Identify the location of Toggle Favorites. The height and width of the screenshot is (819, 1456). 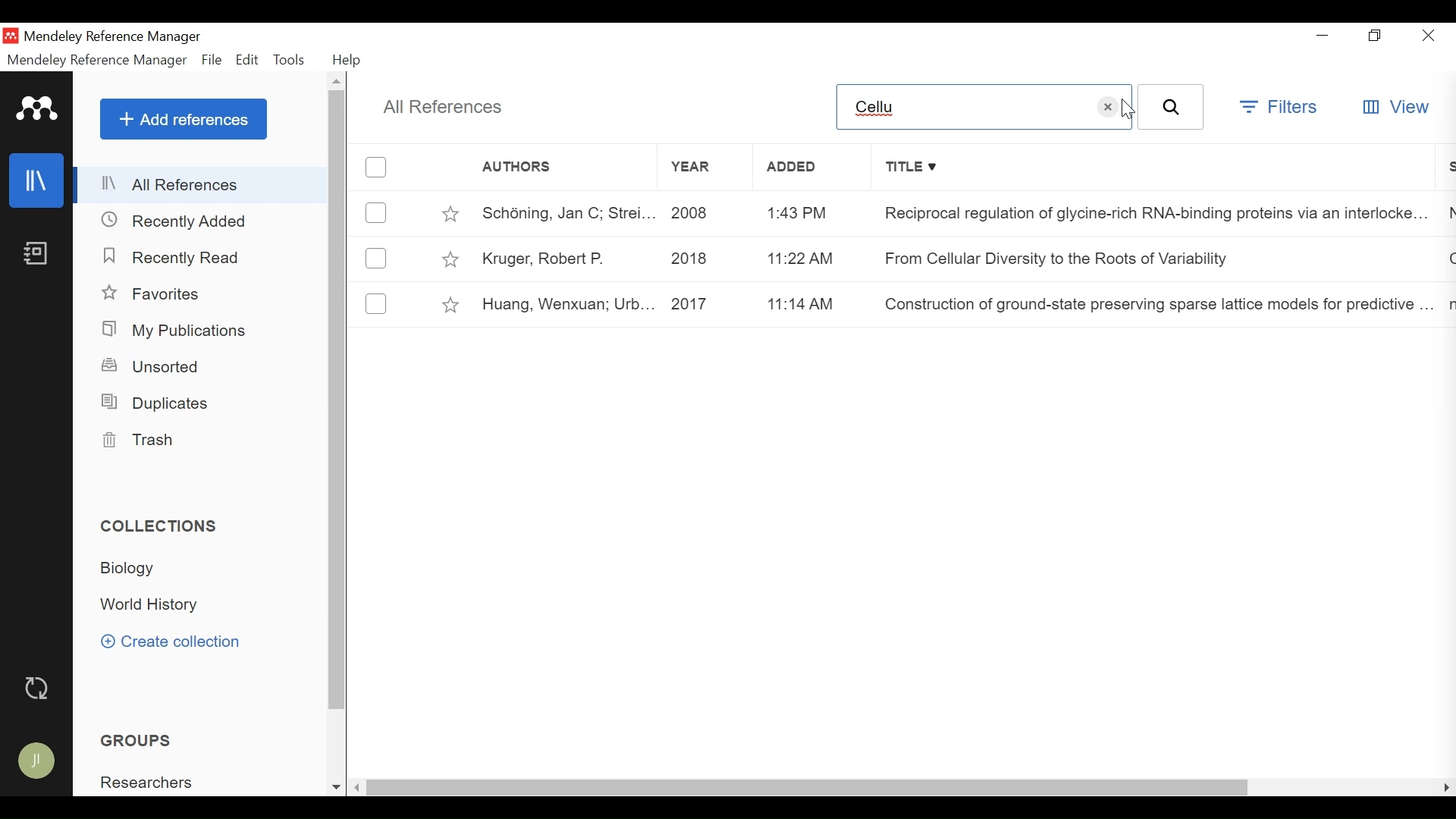
(450, 212).